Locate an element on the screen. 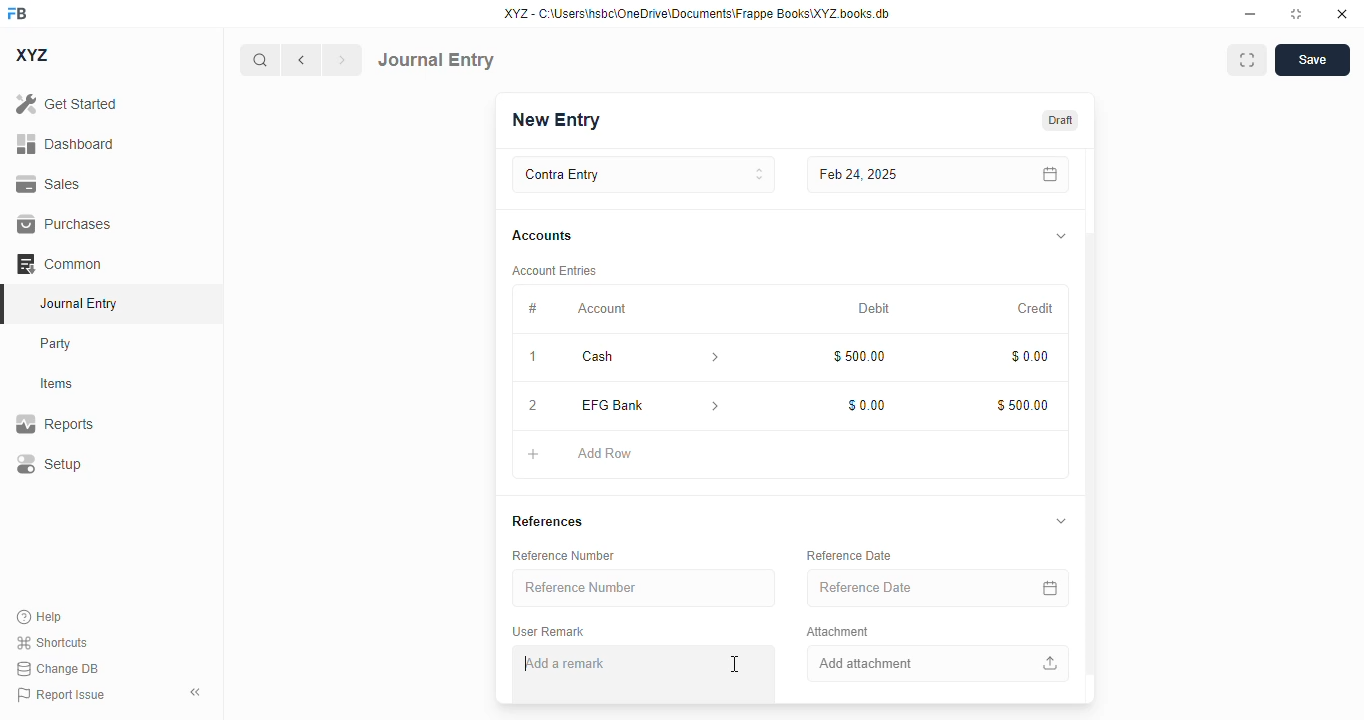  # is located at coordinates (532, 310).